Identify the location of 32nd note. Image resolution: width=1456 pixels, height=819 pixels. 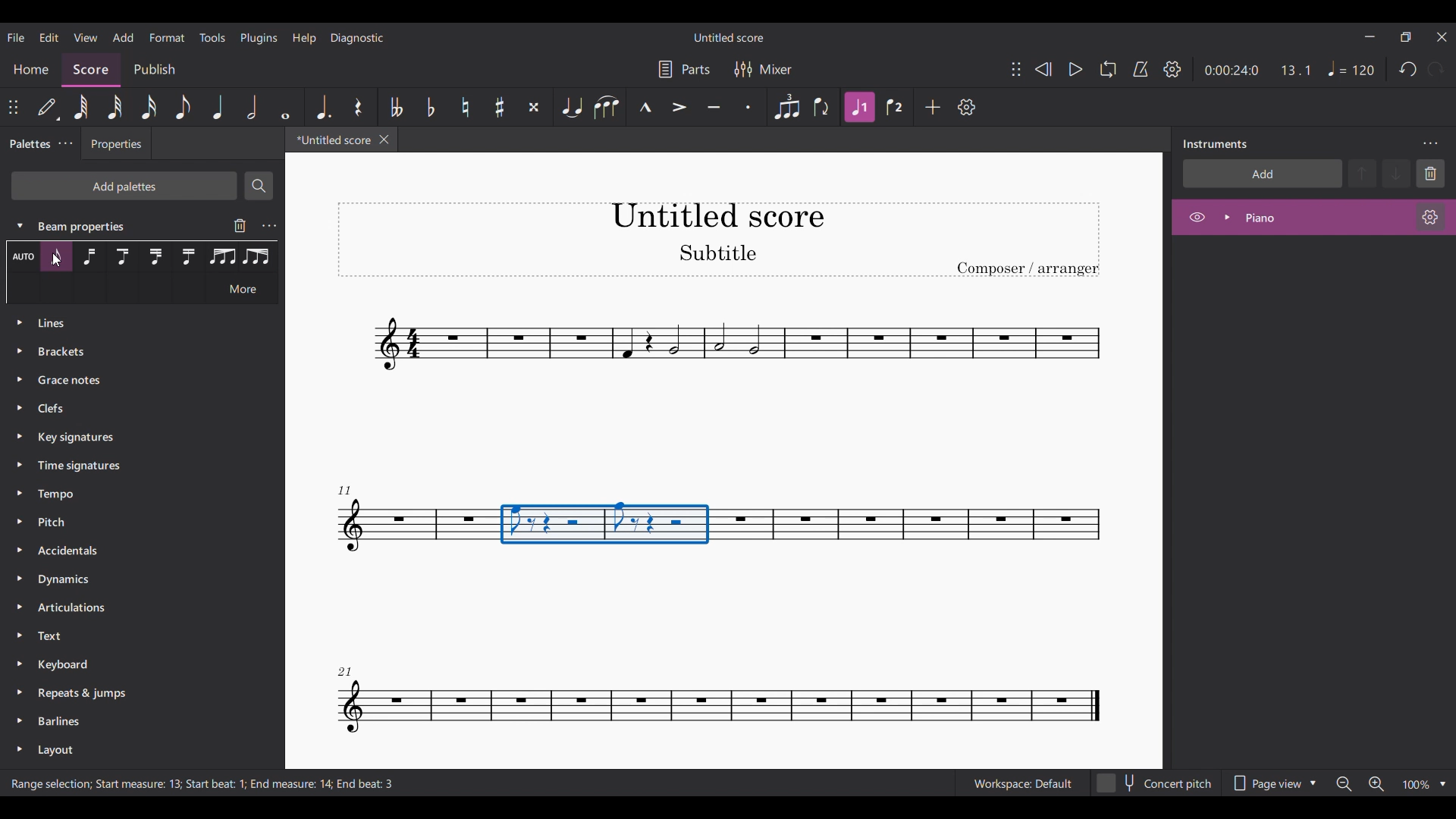
(115, 107).